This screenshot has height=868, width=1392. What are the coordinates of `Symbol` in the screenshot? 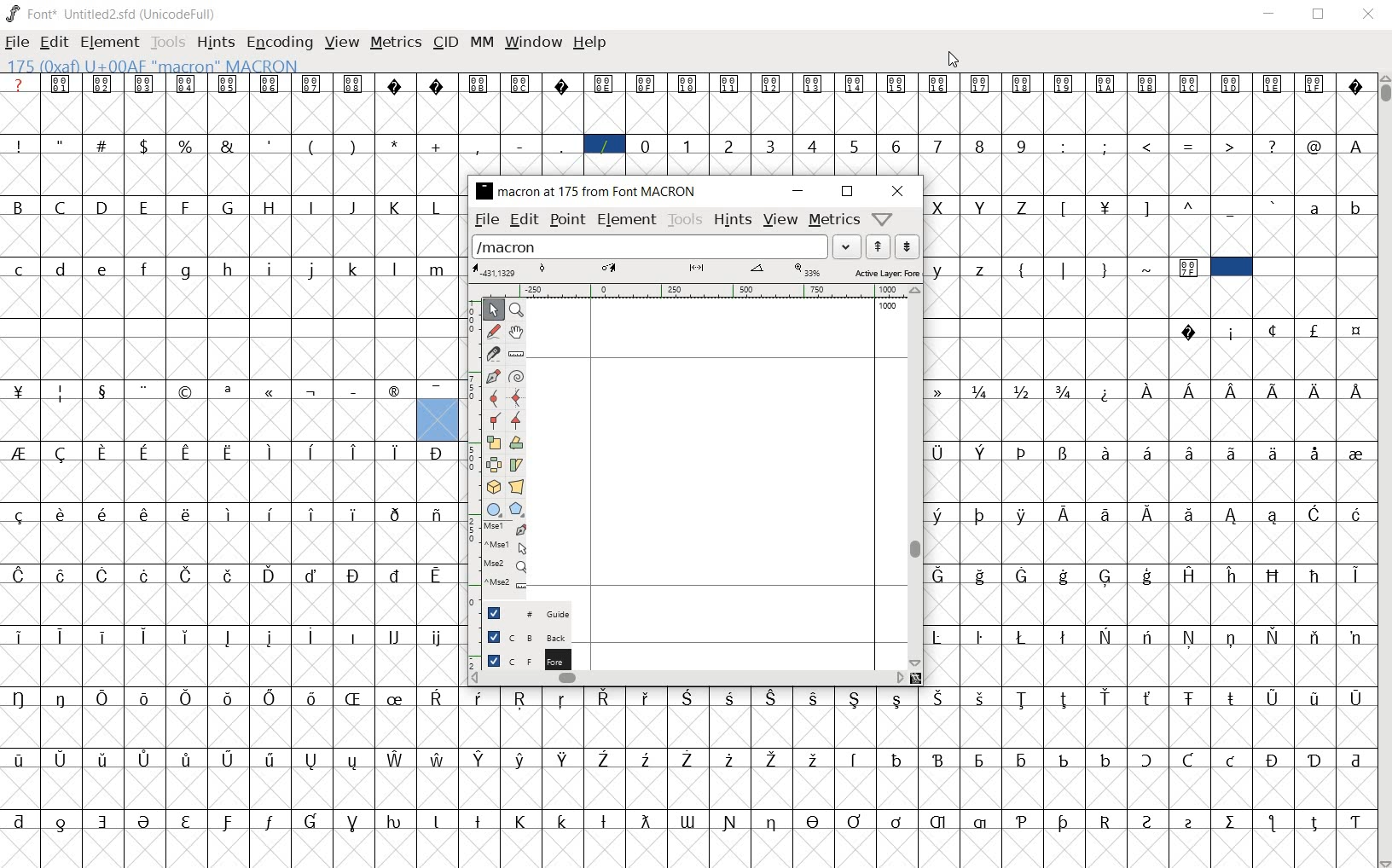 It's located at (189, 635).